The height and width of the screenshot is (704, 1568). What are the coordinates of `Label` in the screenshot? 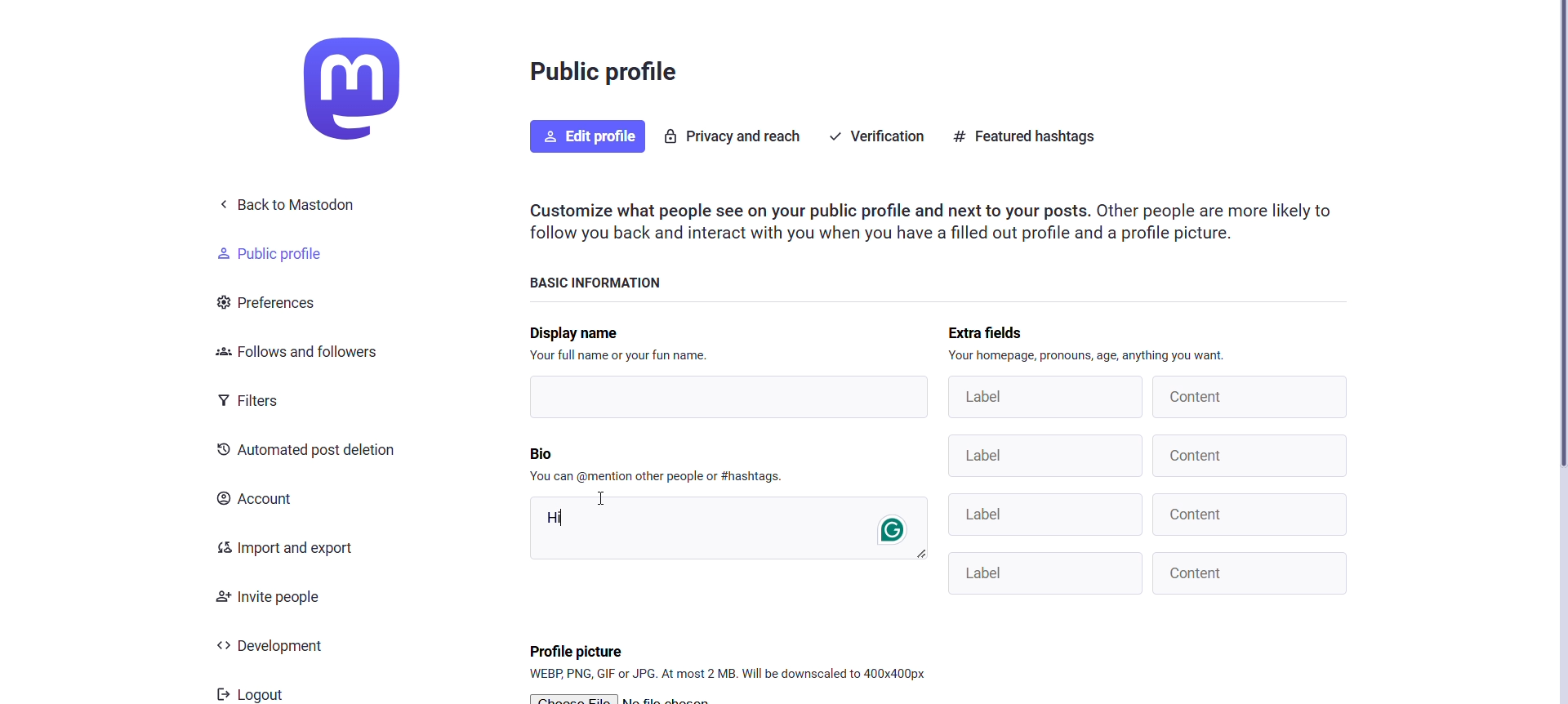 It's located at (1045, 456).